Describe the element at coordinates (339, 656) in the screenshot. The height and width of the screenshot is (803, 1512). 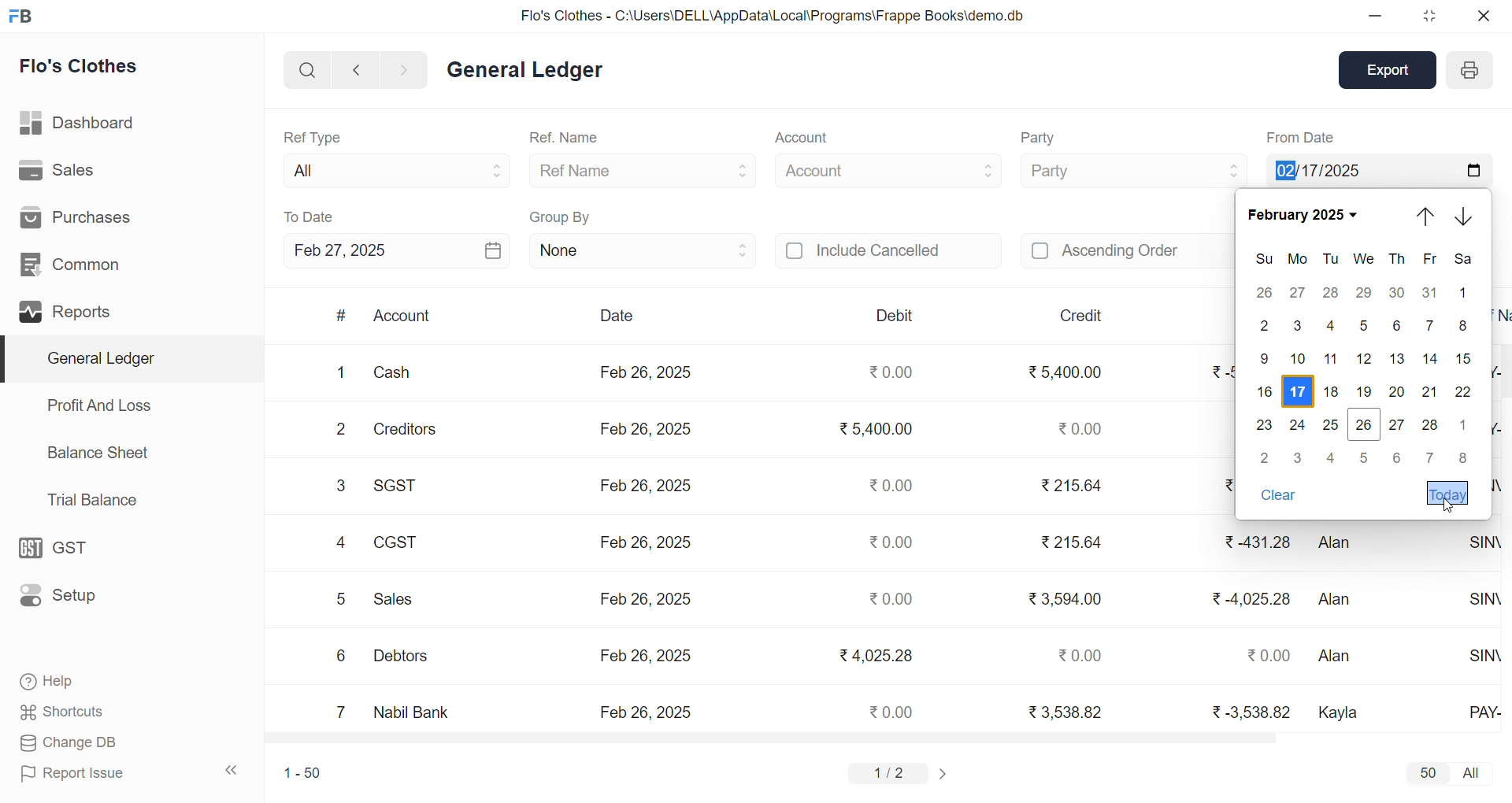
I see `6` at that location.